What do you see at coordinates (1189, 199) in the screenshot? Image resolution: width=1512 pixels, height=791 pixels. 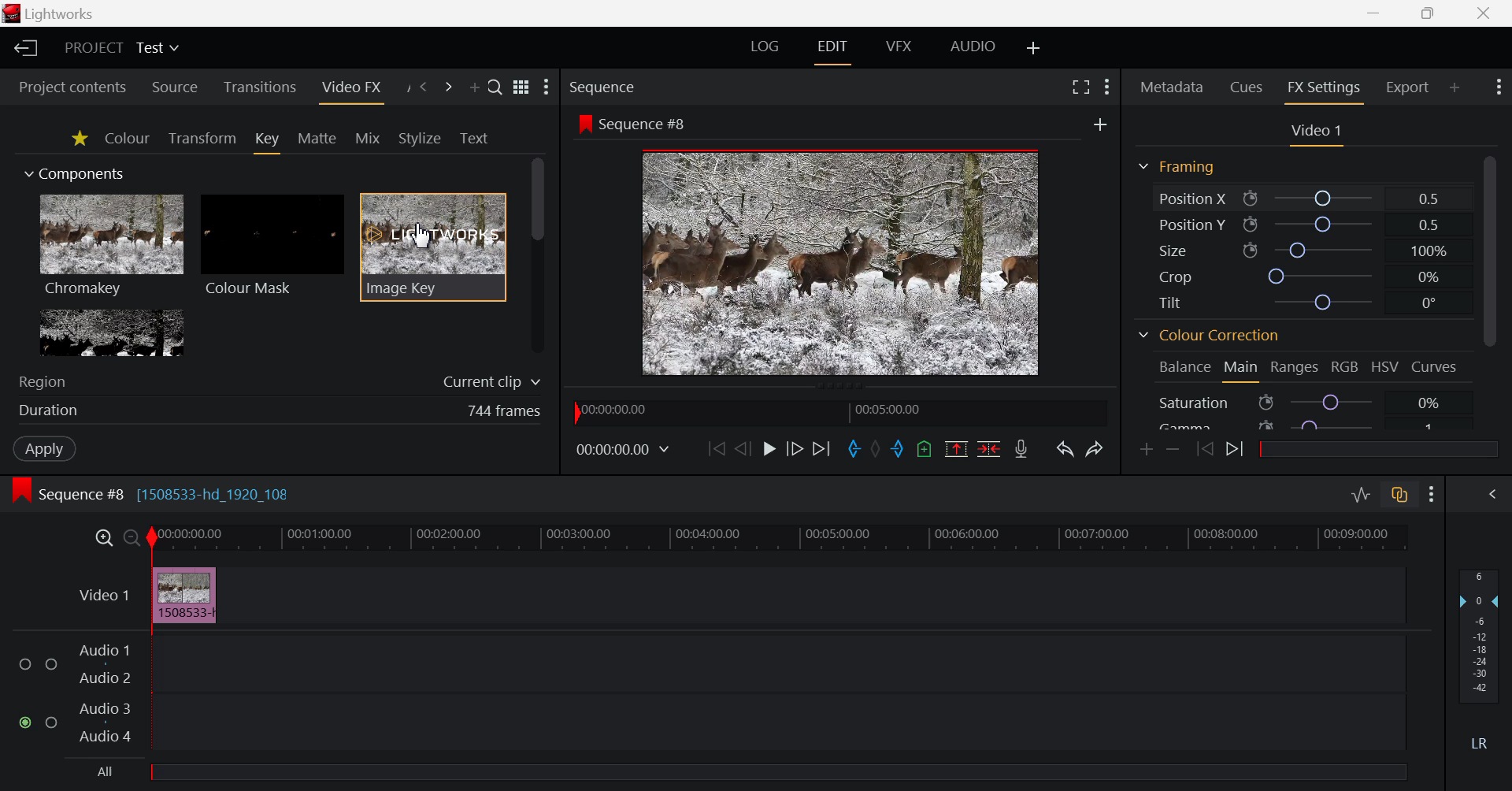 I see `Position X` at bounding box center [1189, 199].